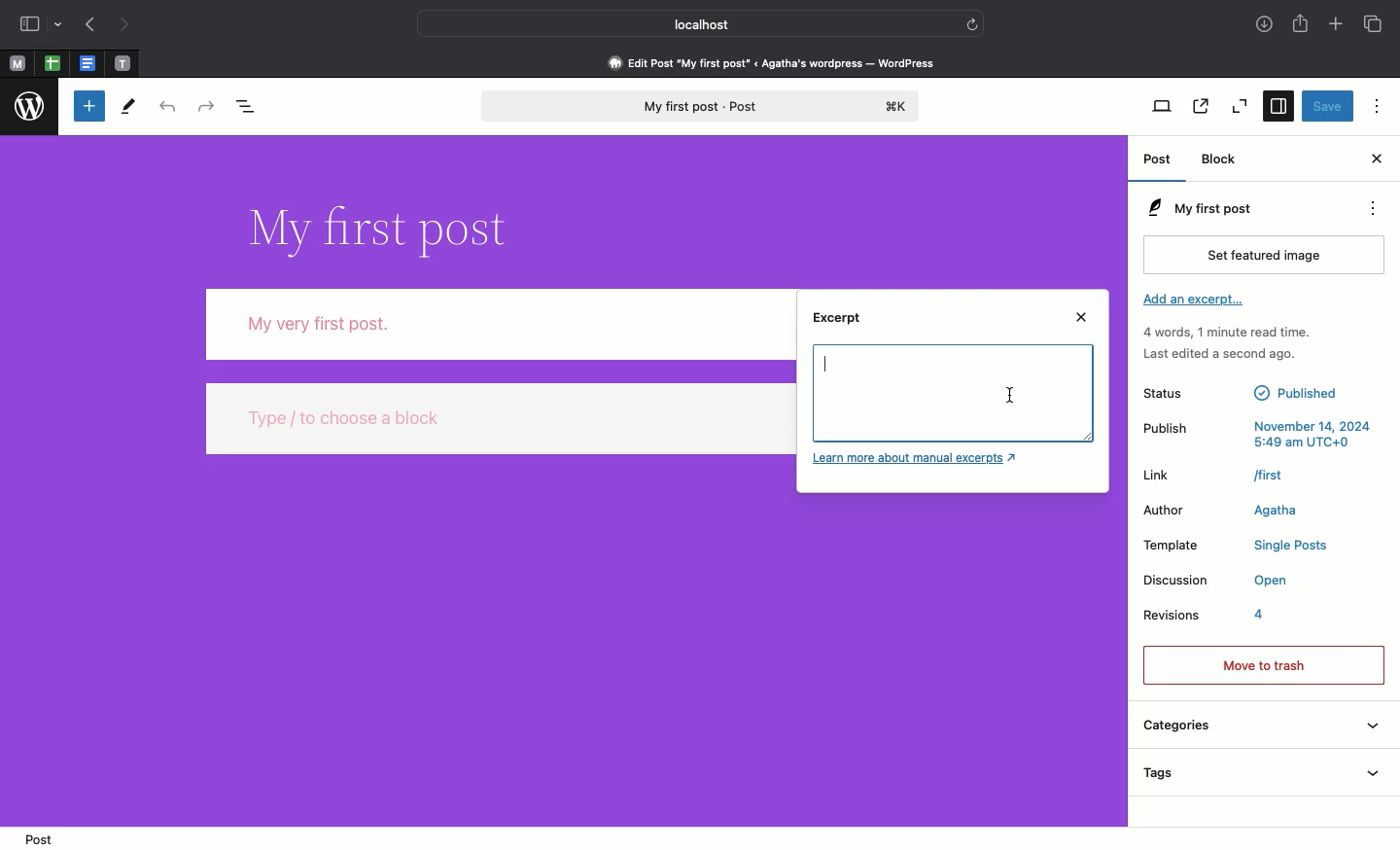 The height and width of the screenshot is (850, 1400). I want to click on My first post, so click(697, 107).